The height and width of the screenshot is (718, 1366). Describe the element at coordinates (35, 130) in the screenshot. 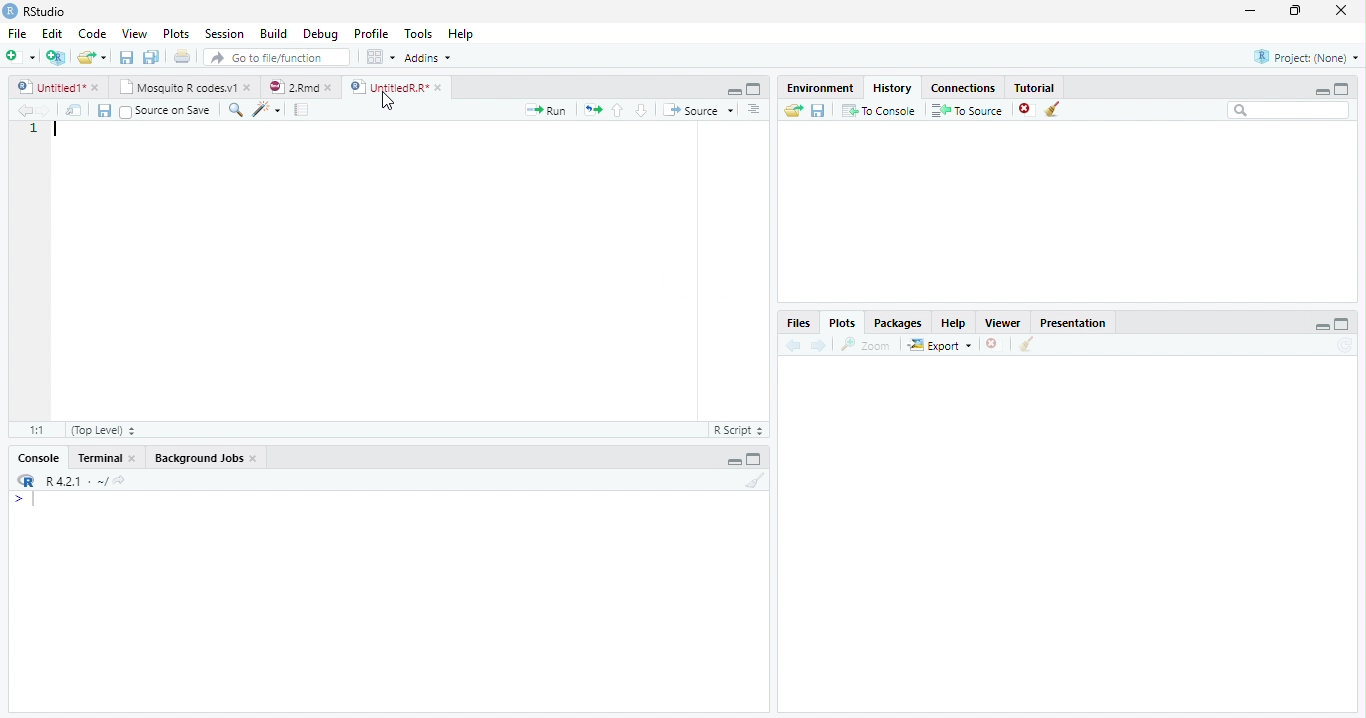

I see `Line number` at that location.